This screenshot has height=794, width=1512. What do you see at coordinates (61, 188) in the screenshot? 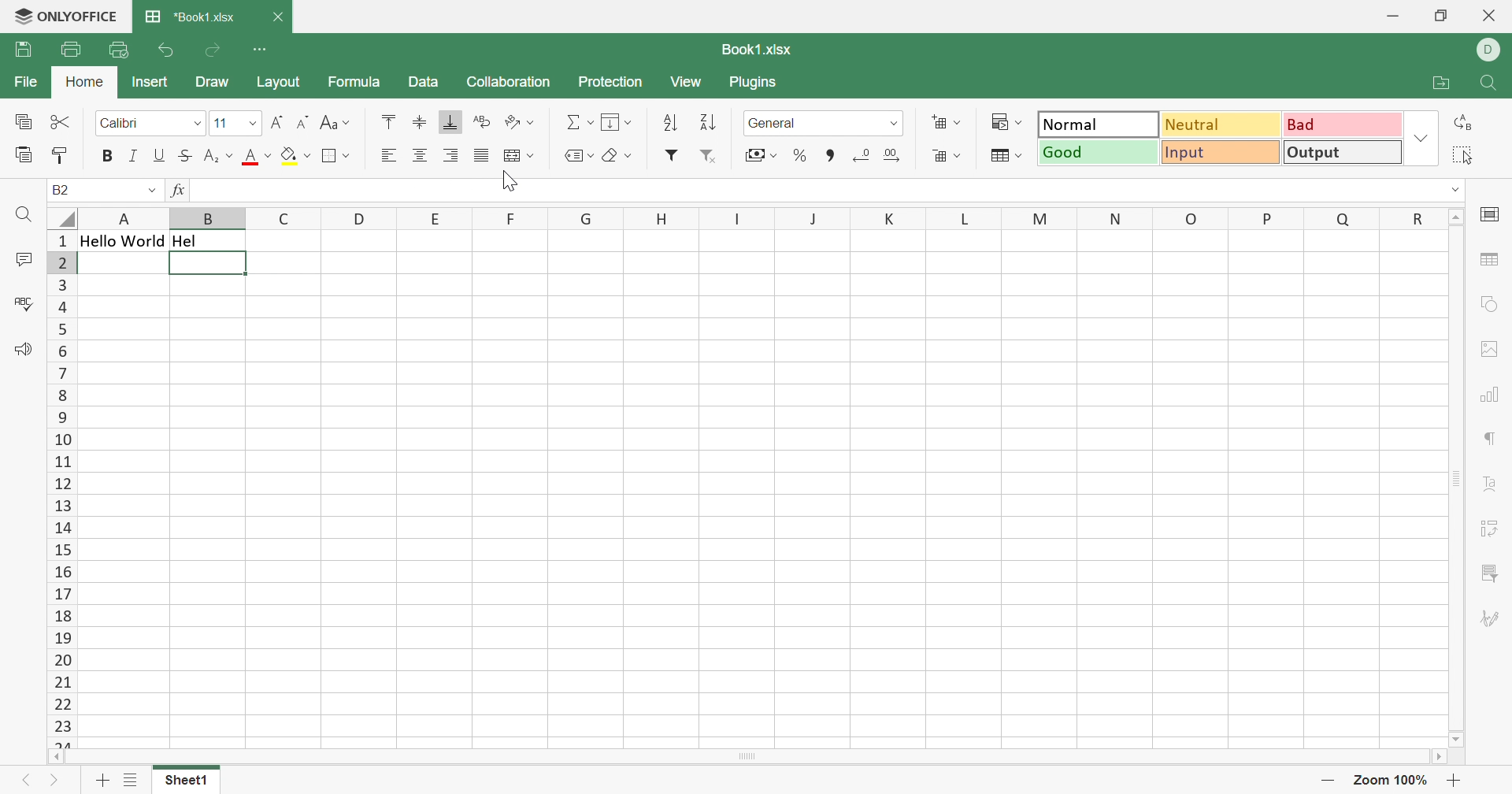
I see `B2` at bounding box center [61, 188].